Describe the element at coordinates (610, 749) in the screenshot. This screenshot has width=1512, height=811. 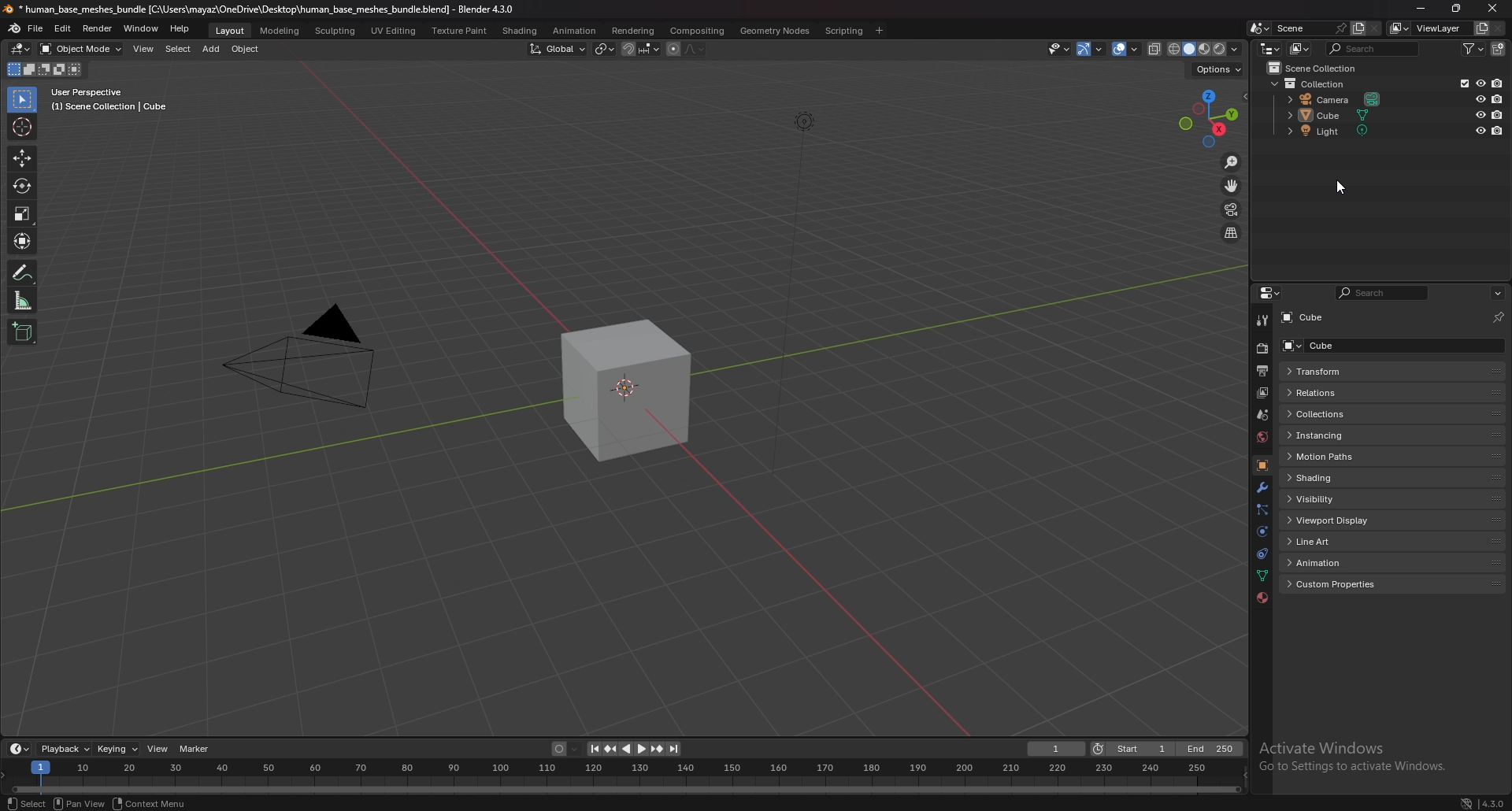
I see `jump to keyframe` at that location.